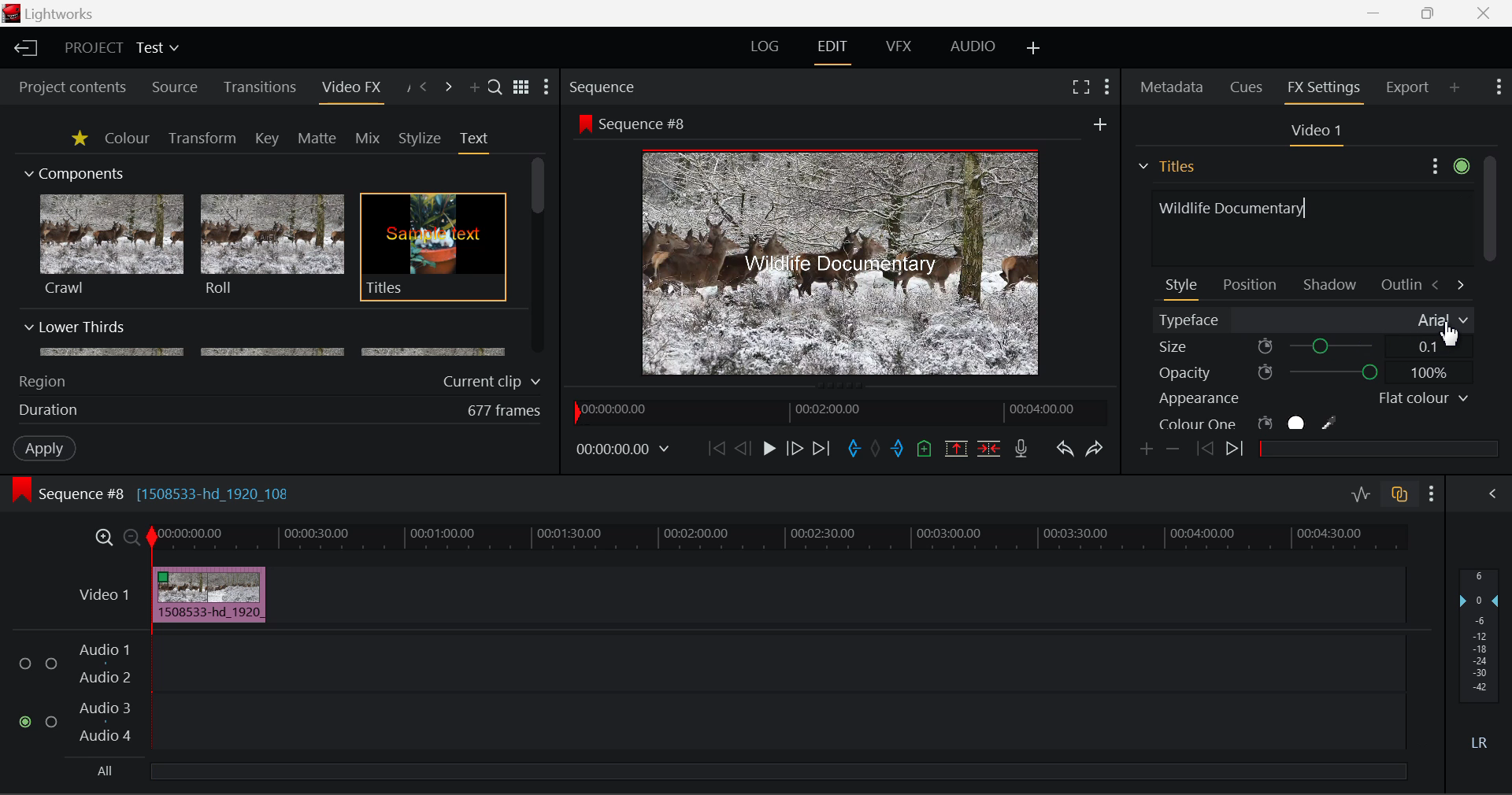  Describe the element at coordinates (167, 494) in the screenshot. I see `Sequence #8 [1508533-hd_1920_108` at that location.